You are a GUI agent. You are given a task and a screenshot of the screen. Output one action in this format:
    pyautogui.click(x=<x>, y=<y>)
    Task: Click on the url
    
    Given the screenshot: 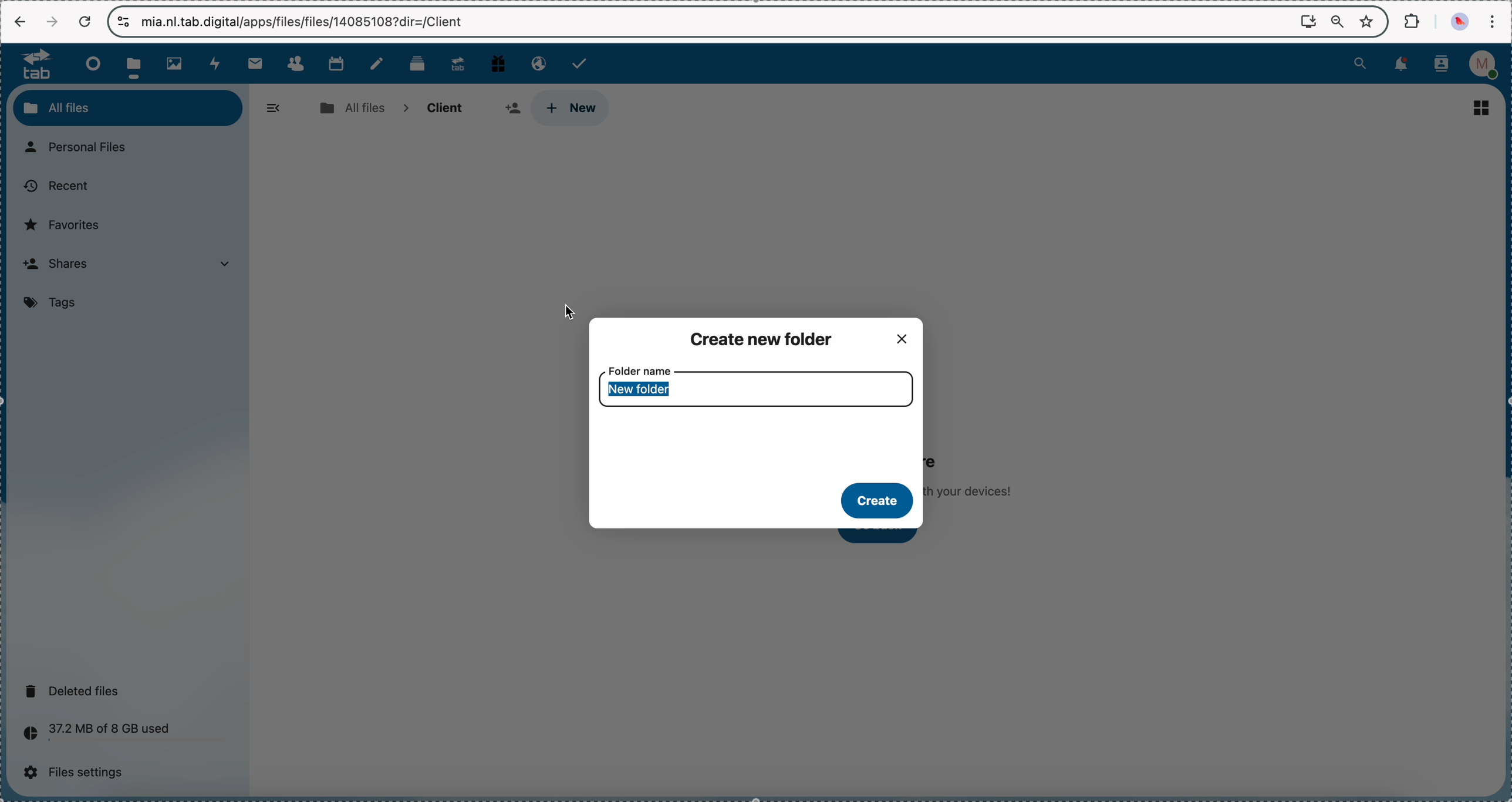 What is the action you would take?
    pyautogui.click(x=308, y=22)
    